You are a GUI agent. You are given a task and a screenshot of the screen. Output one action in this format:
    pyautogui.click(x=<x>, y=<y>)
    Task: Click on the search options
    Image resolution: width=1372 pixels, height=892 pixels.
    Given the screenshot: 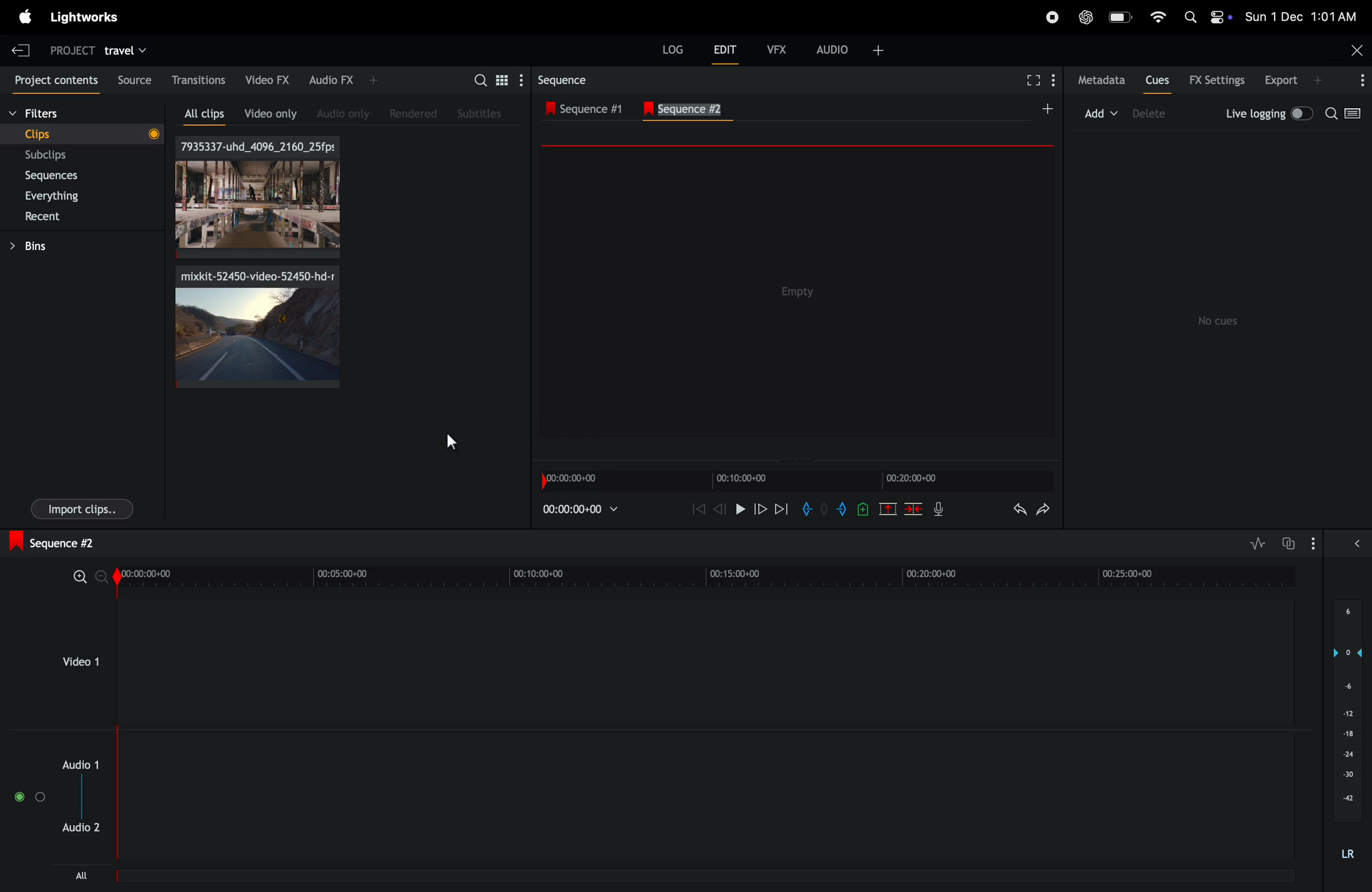 What is the action you would take?
    pyautogui.click(x=1348, y=115)
    